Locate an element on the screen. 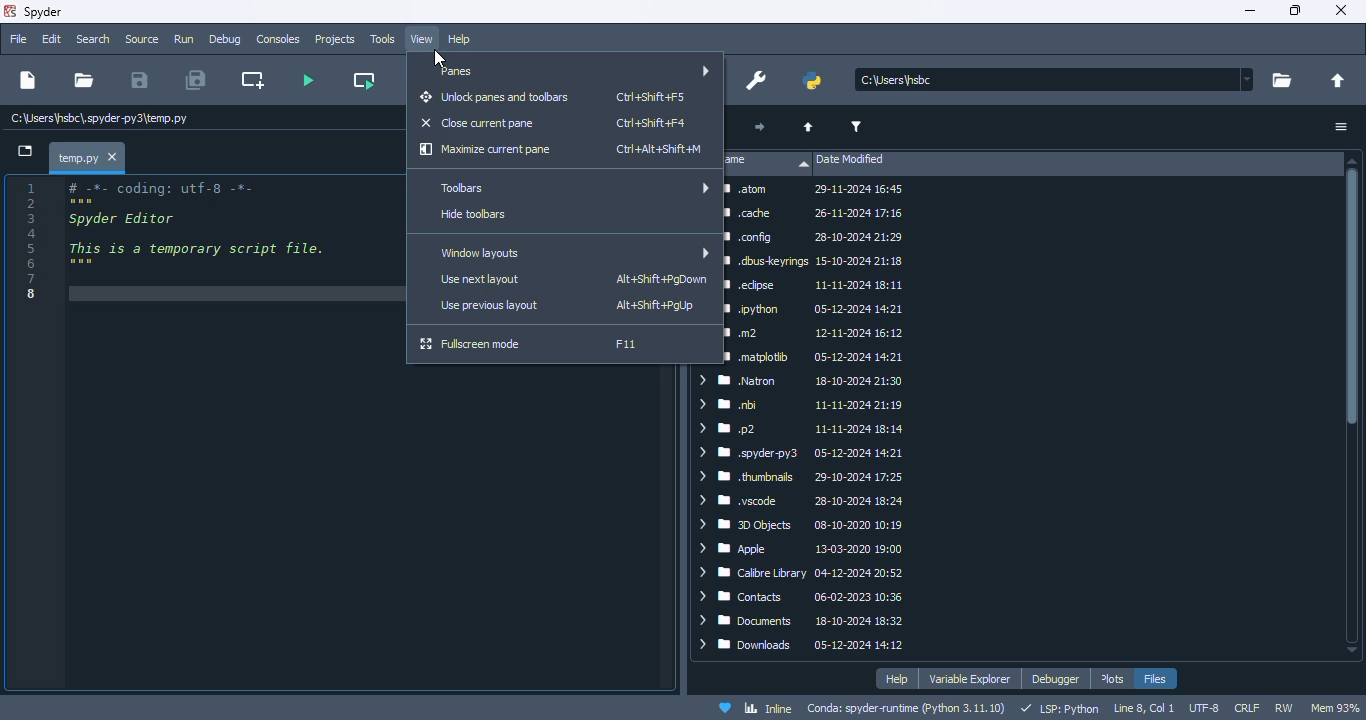 The height and width of the screenshot is (720, 1366). browse tabs is located at coordinates (26, 152).